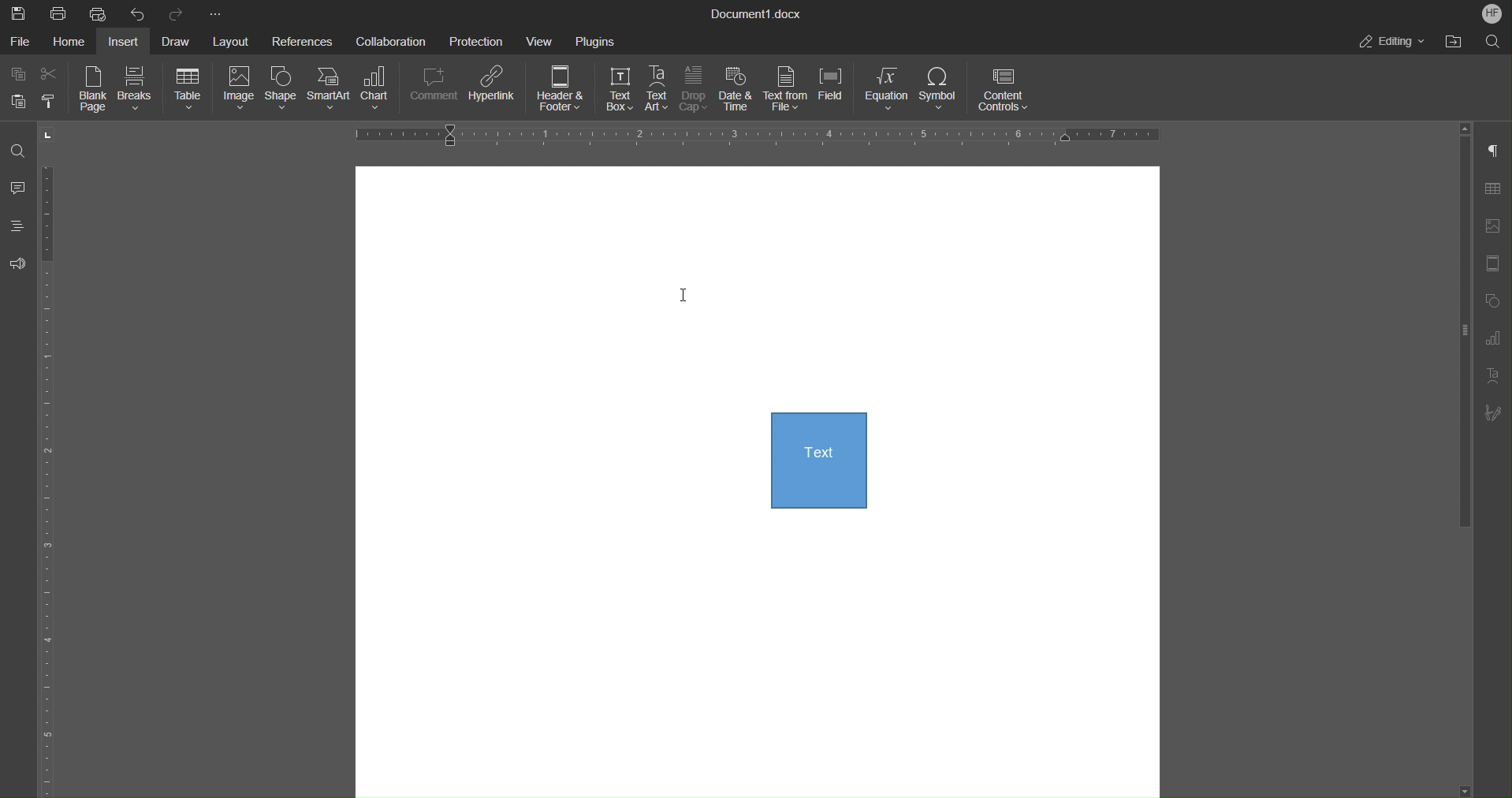 Image resolution: width=1512 pixels, height=798 pixels. Describe the element at coordinates (1497, 226) in the screenshot. I see `Insert Image` at that location.